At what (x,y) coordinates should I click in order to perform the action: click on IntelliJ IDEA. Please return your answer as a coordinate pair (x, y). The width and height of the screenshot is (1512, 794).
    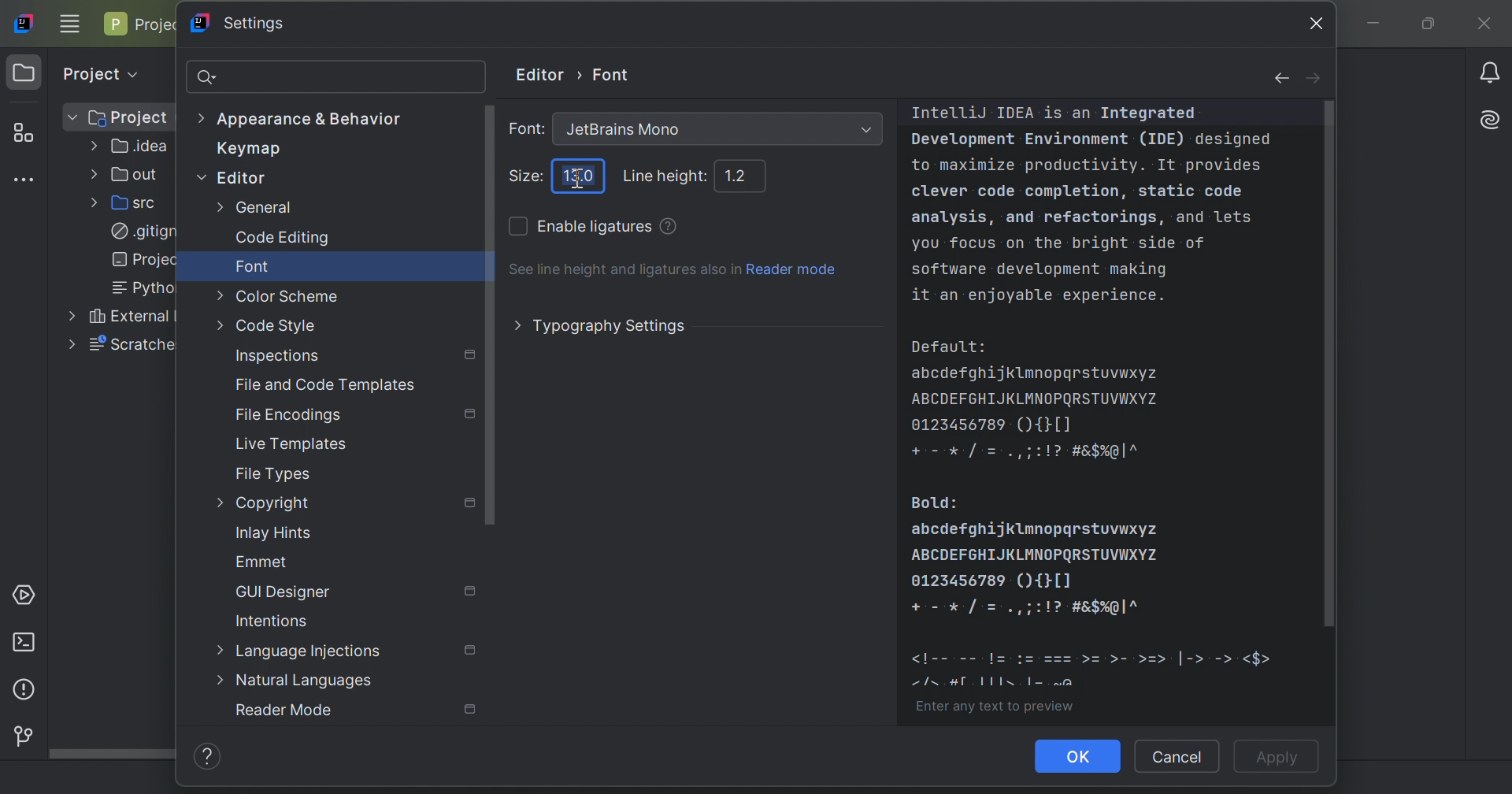
    Looking at the image, I should click on (1054, 113).